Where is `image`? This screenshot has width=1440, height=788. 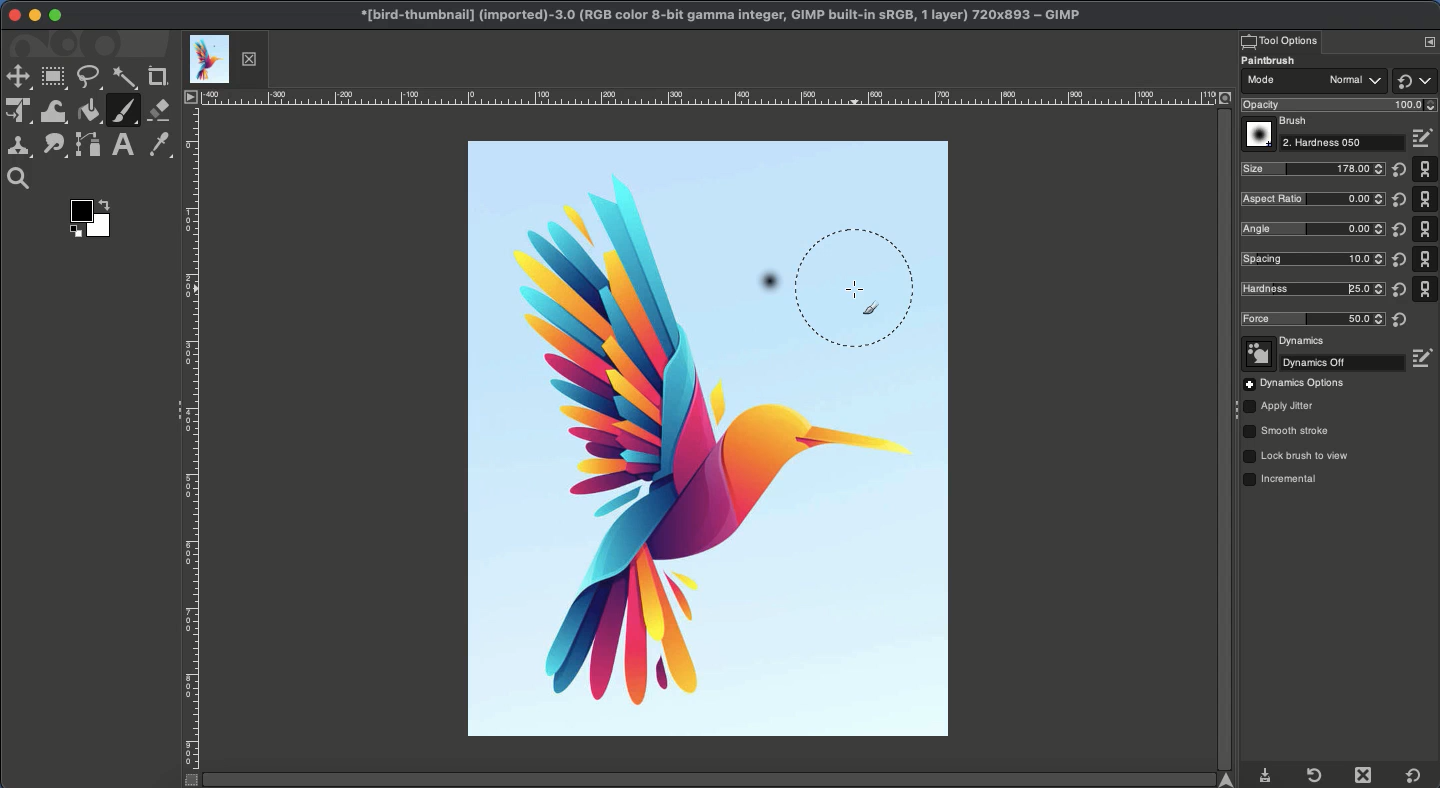 image is located at coordinates (631, 244).